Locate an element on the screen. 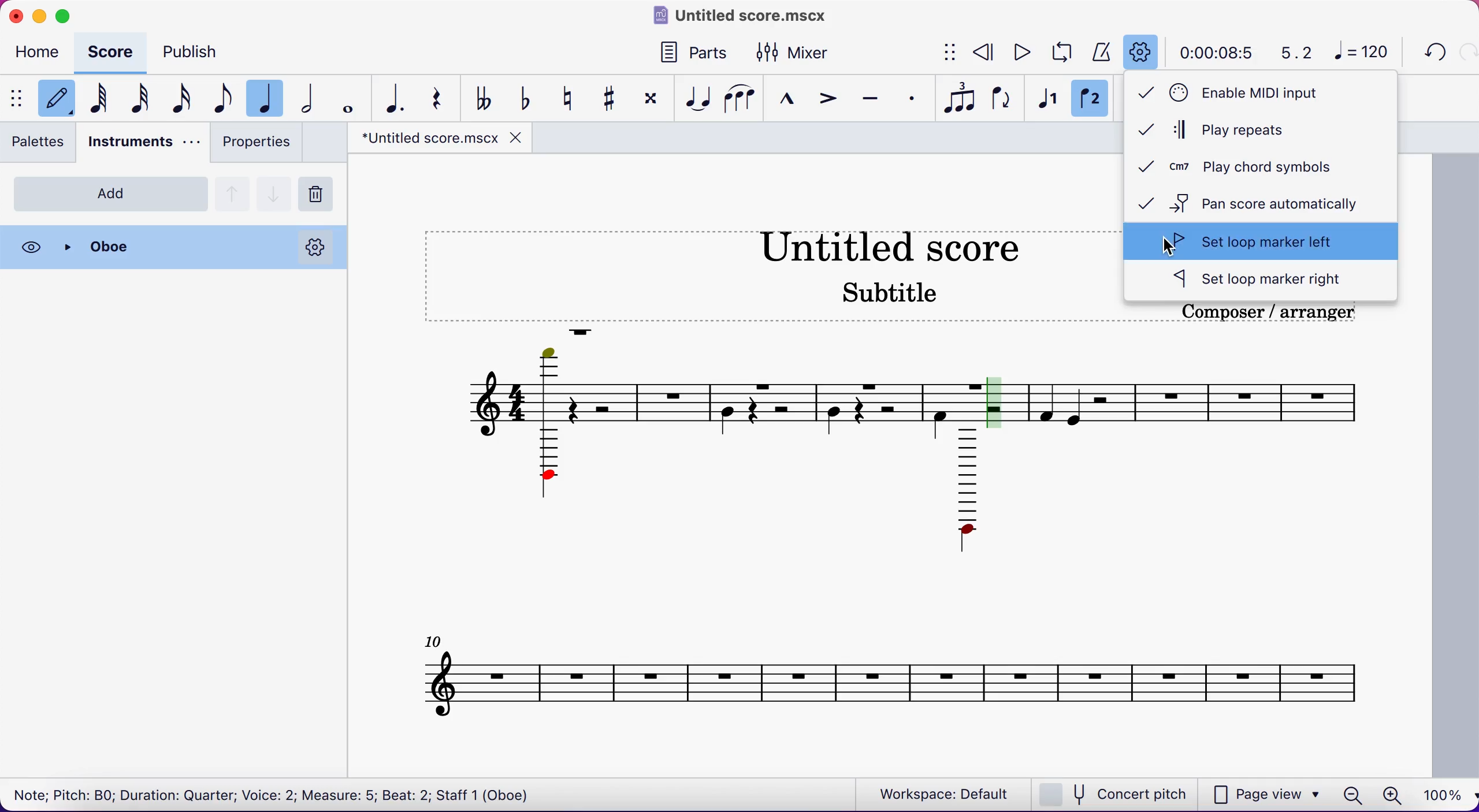  tenuto is located at coordinates (875, 101).